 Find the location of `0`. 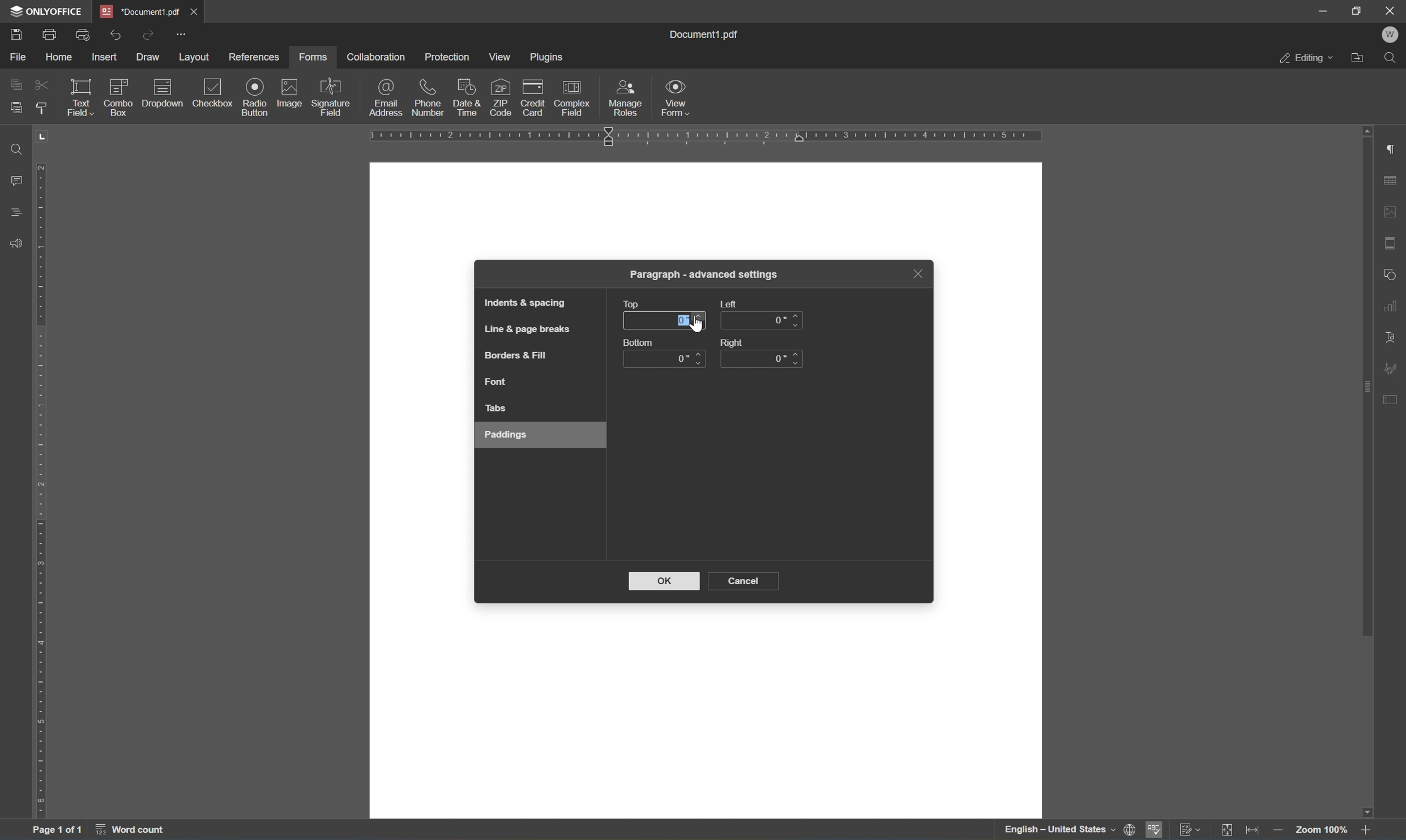

0 is located at coordinates (784, 319).